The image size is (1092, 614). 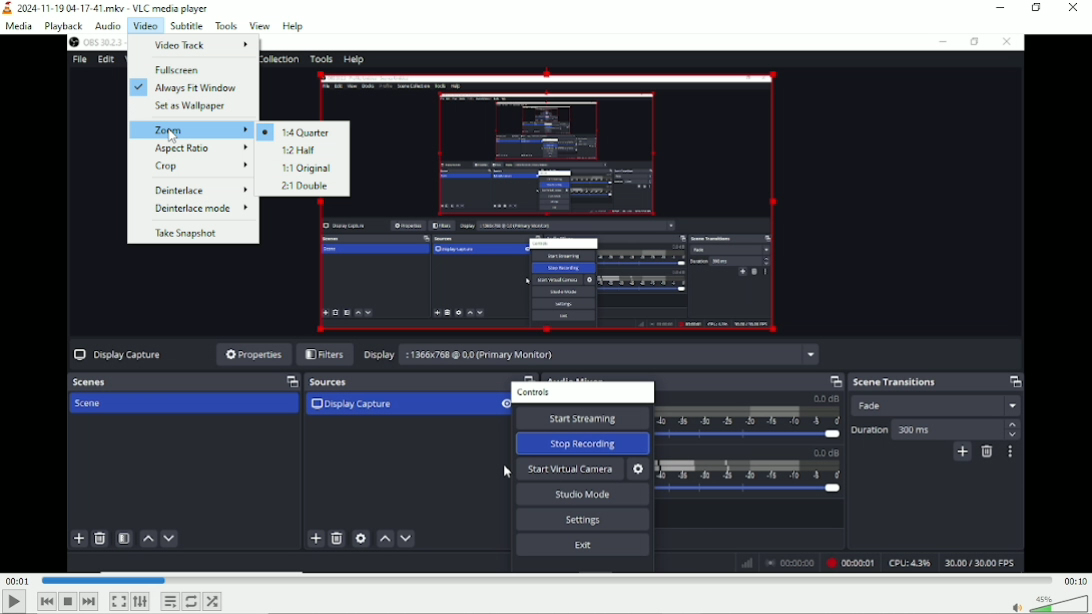 What do you see at coordinates (140, 602) in the screenshot?
I see `Show extended settings` at bounding box center [140, 602].